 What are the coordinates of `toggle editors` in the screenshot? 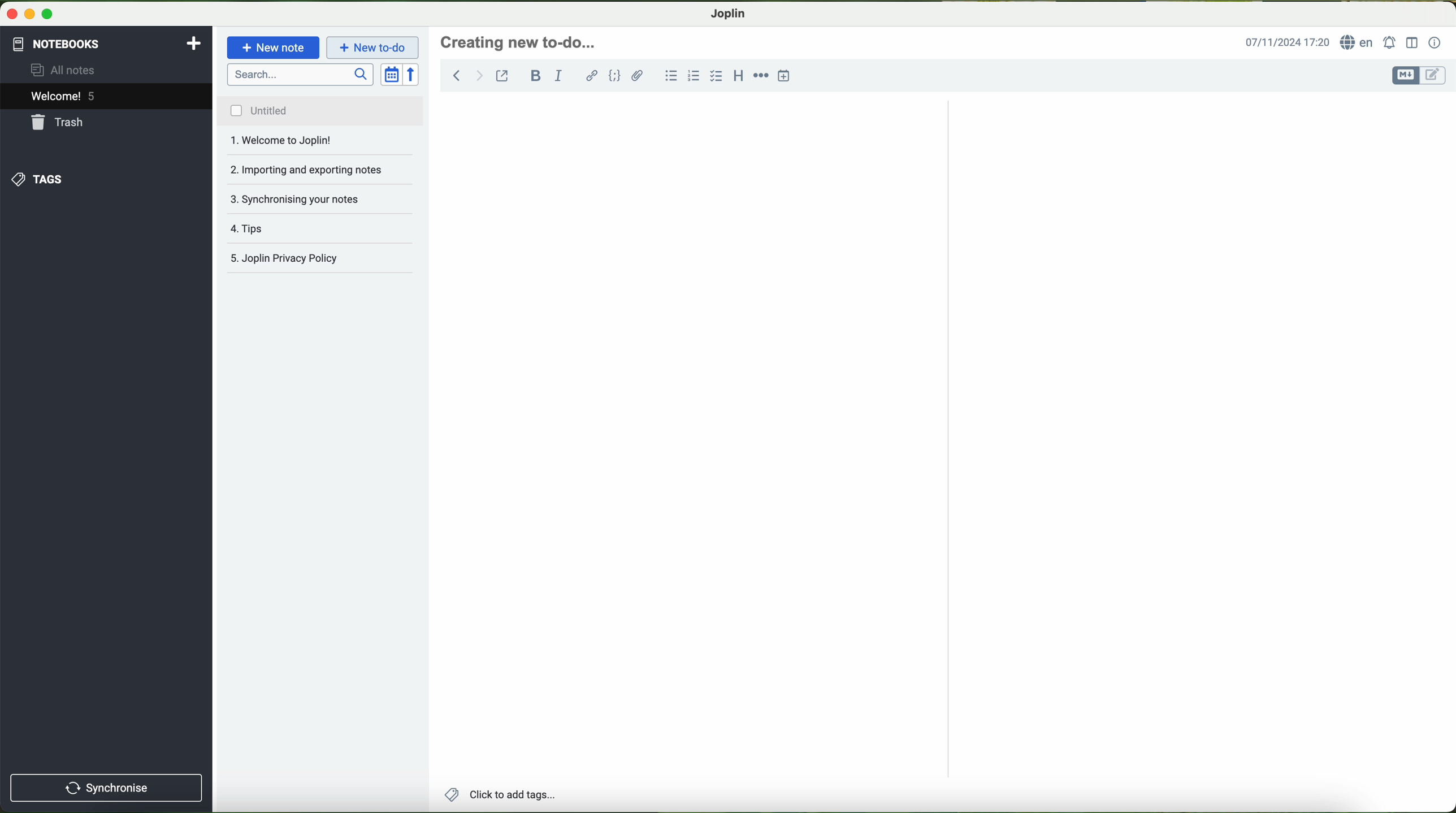 It's located at (1418, 76).